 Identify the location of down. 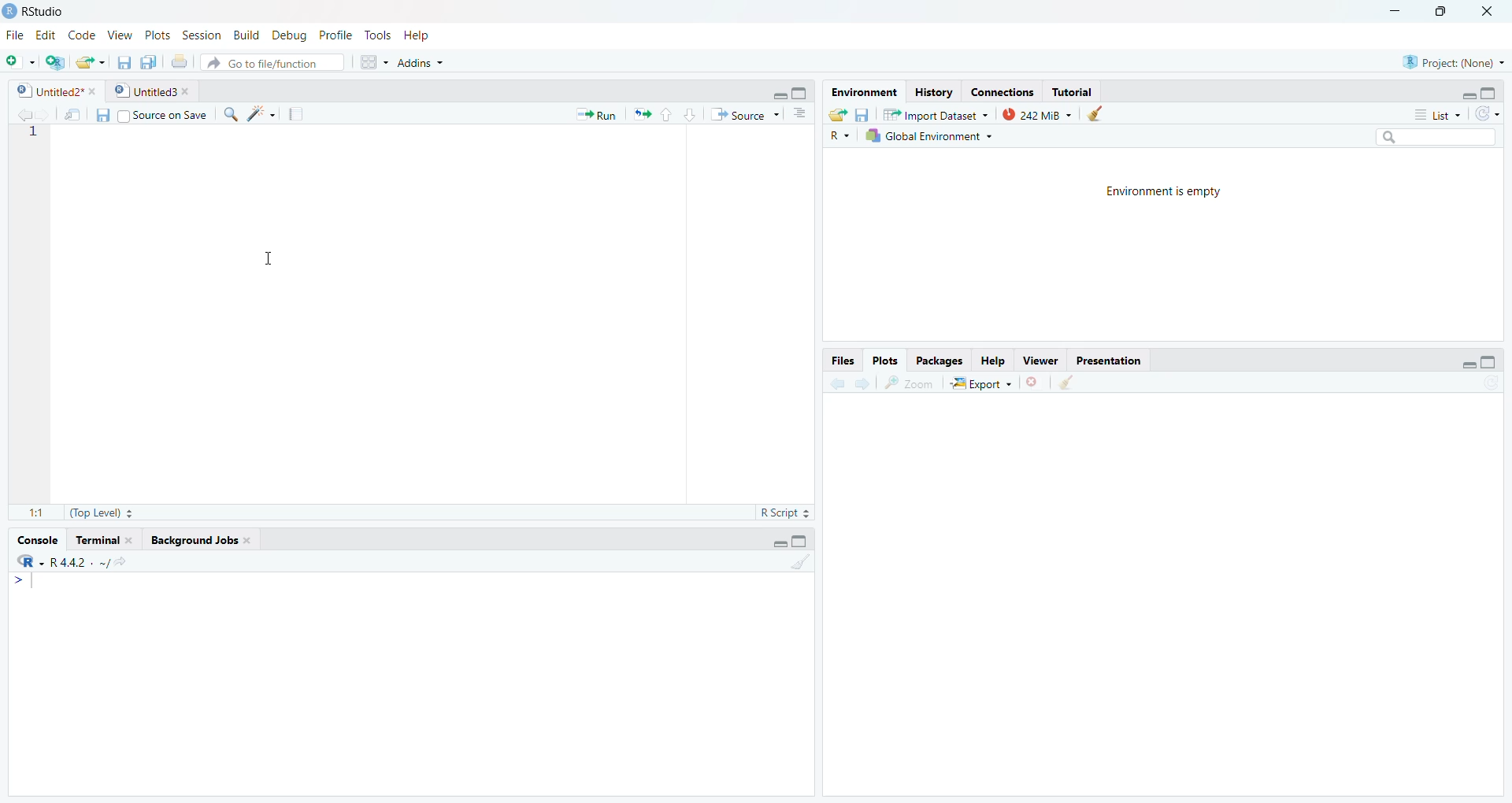
(688, 114).